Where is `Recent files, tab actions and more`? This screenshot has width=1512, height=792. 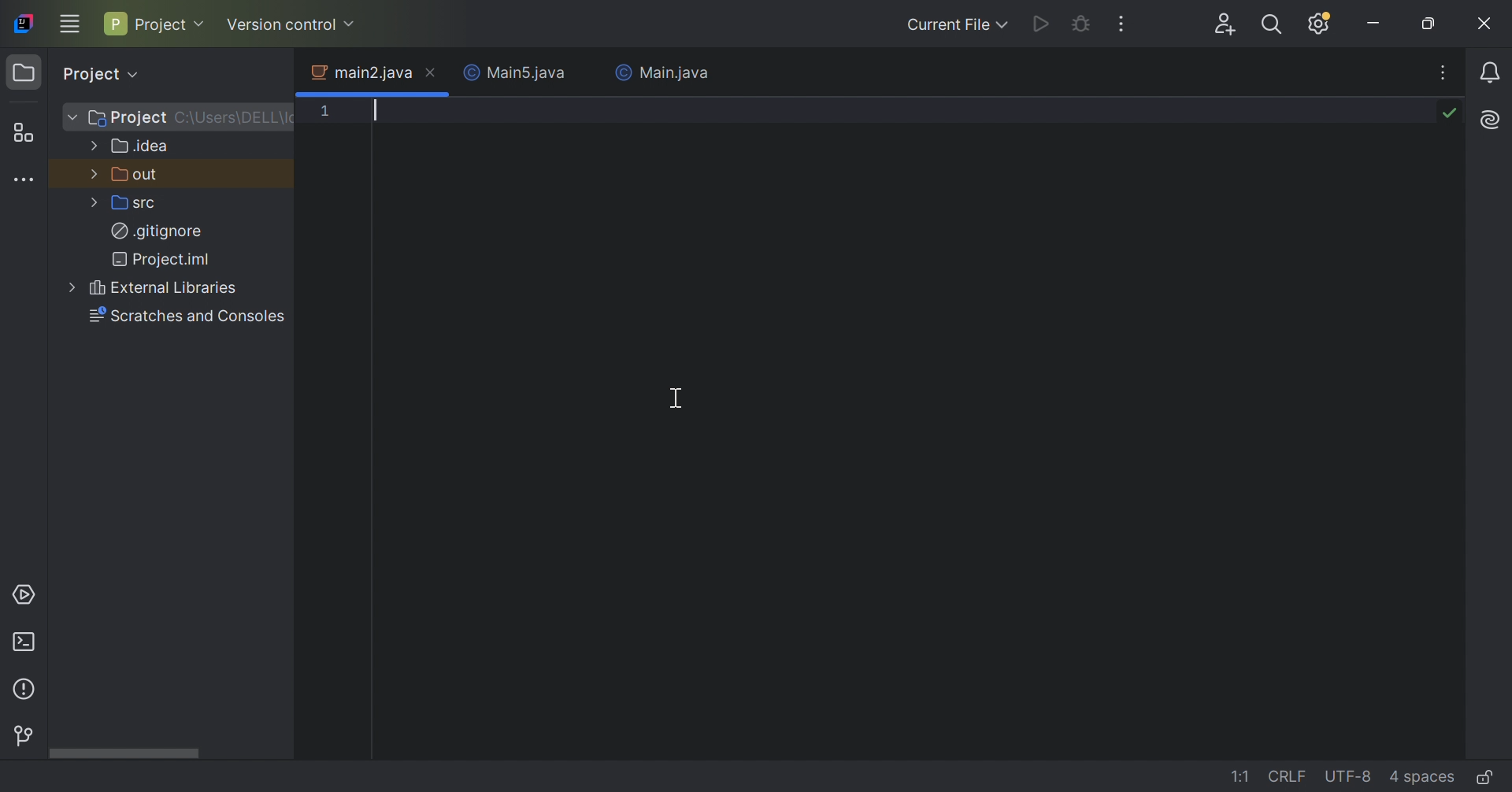
Recent files, tab actions and more is located at coordinates (1446, 74).